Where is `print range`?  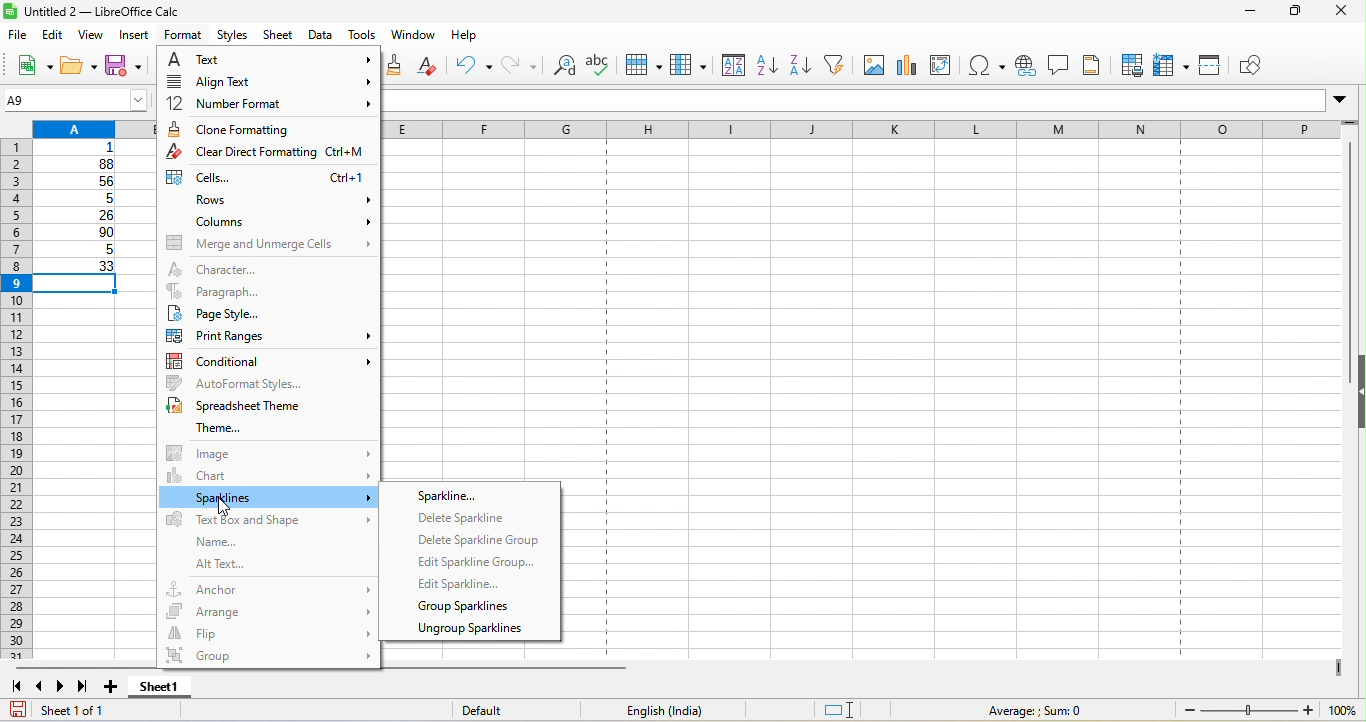
print range is located at coordinates (266, 335).